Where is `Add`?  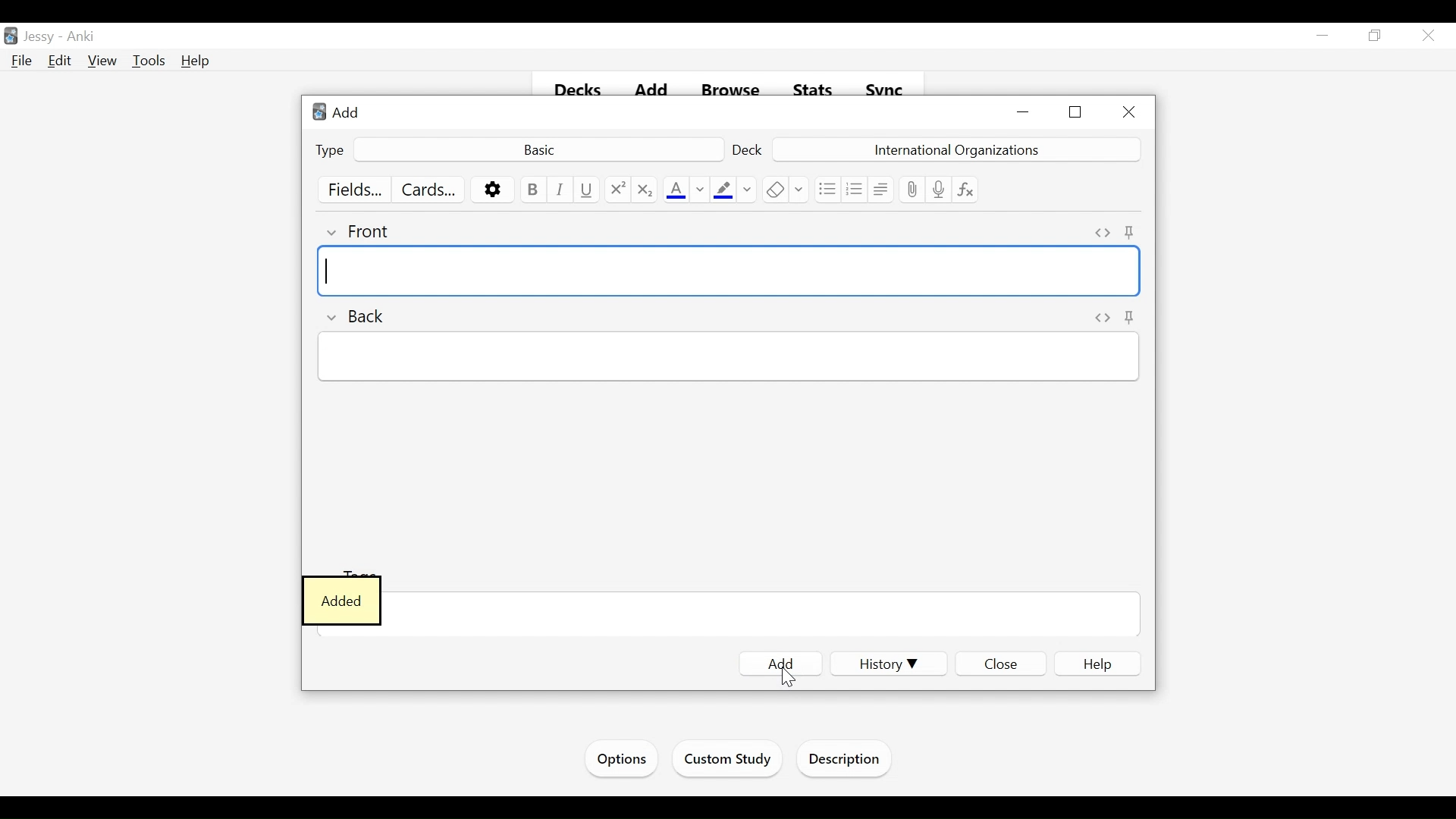 Add is located at coordinates (780, 659).